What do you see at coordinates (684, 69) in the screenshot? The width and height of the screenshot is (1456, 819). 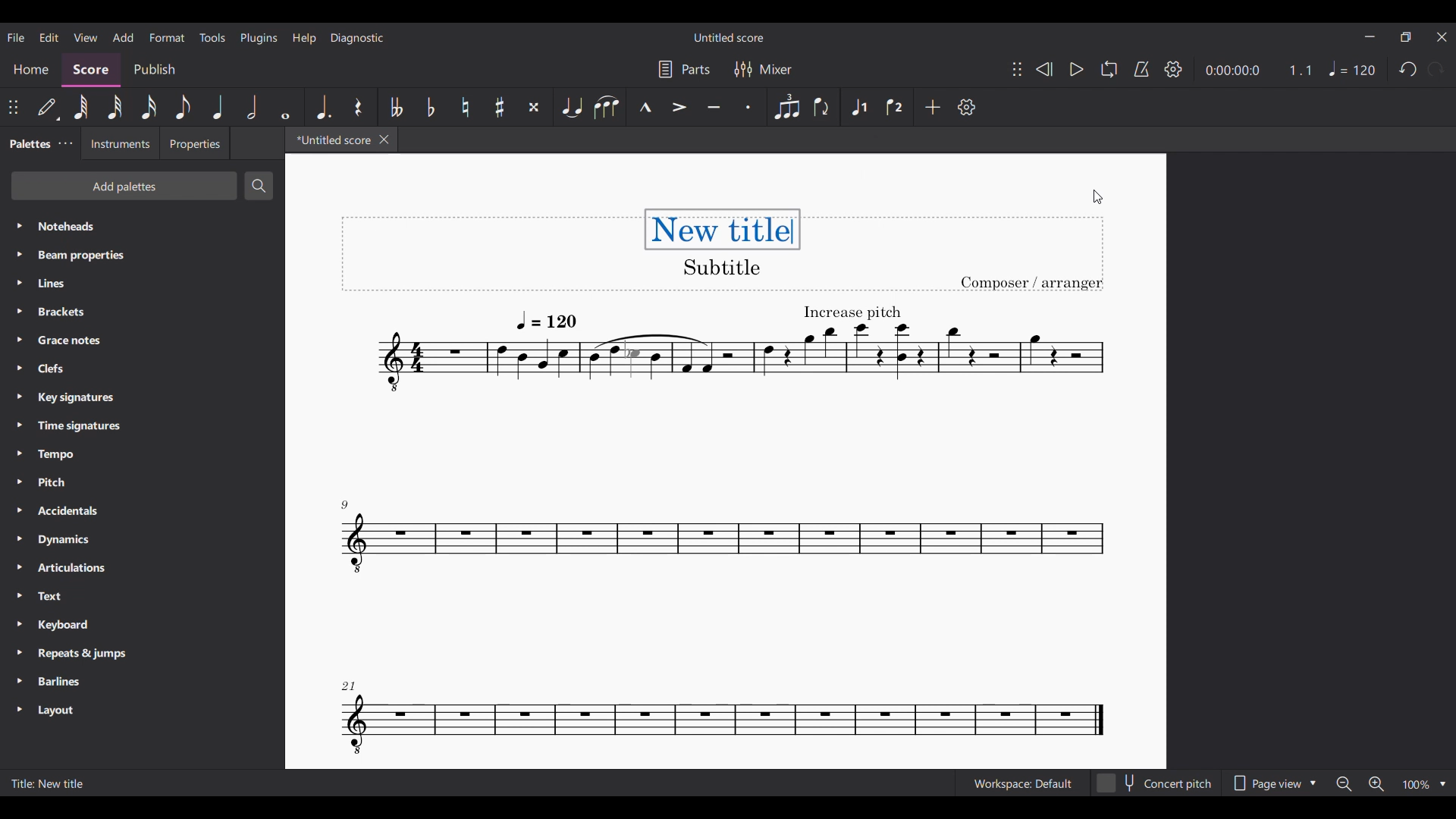 I see `Parts settings` at bounding box center [684, 69].